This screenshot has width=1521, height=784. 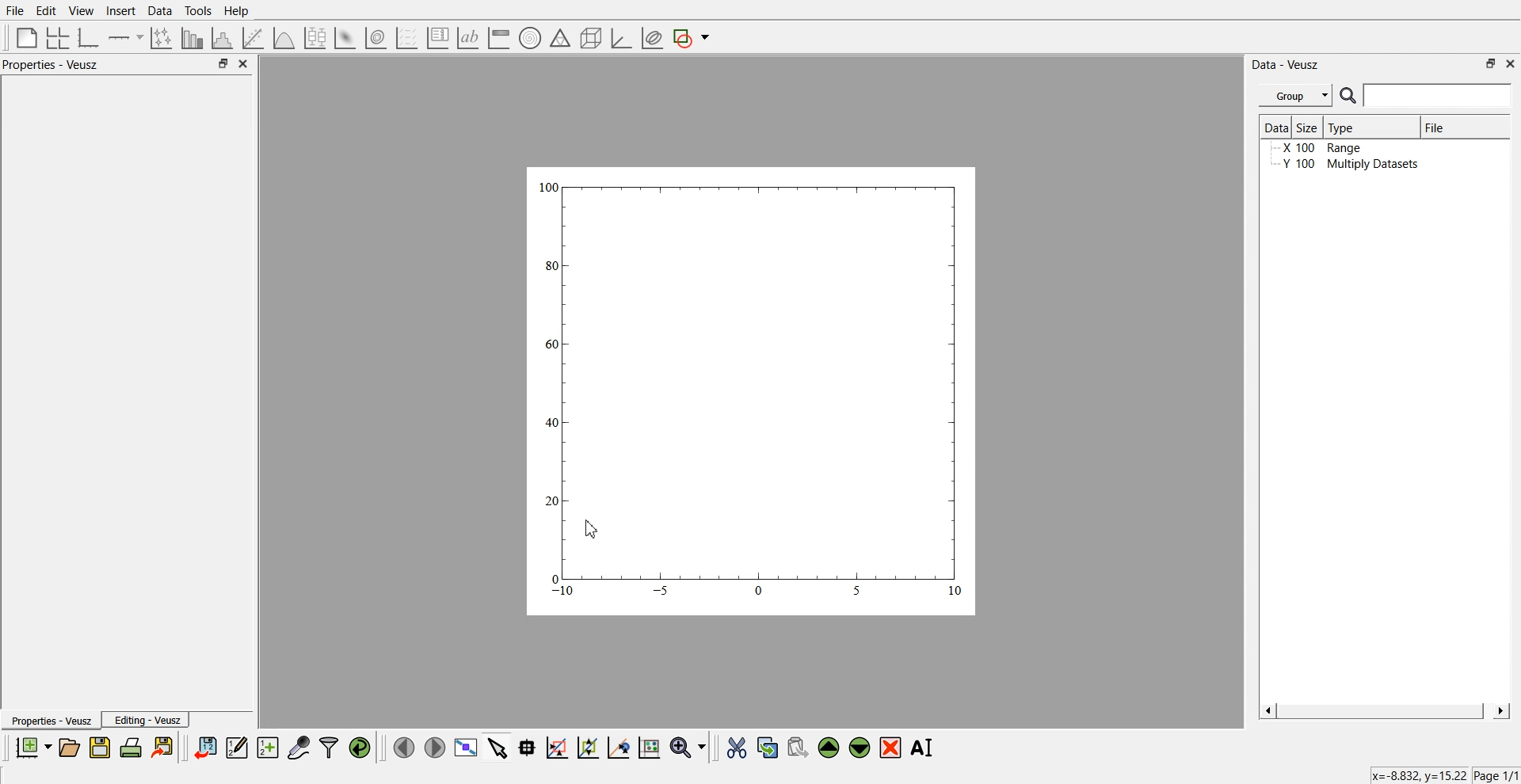 What do you see at coordinates (55, 37) in the screenshot?
I see `arrange graphs` at bounding box center [55, 37].